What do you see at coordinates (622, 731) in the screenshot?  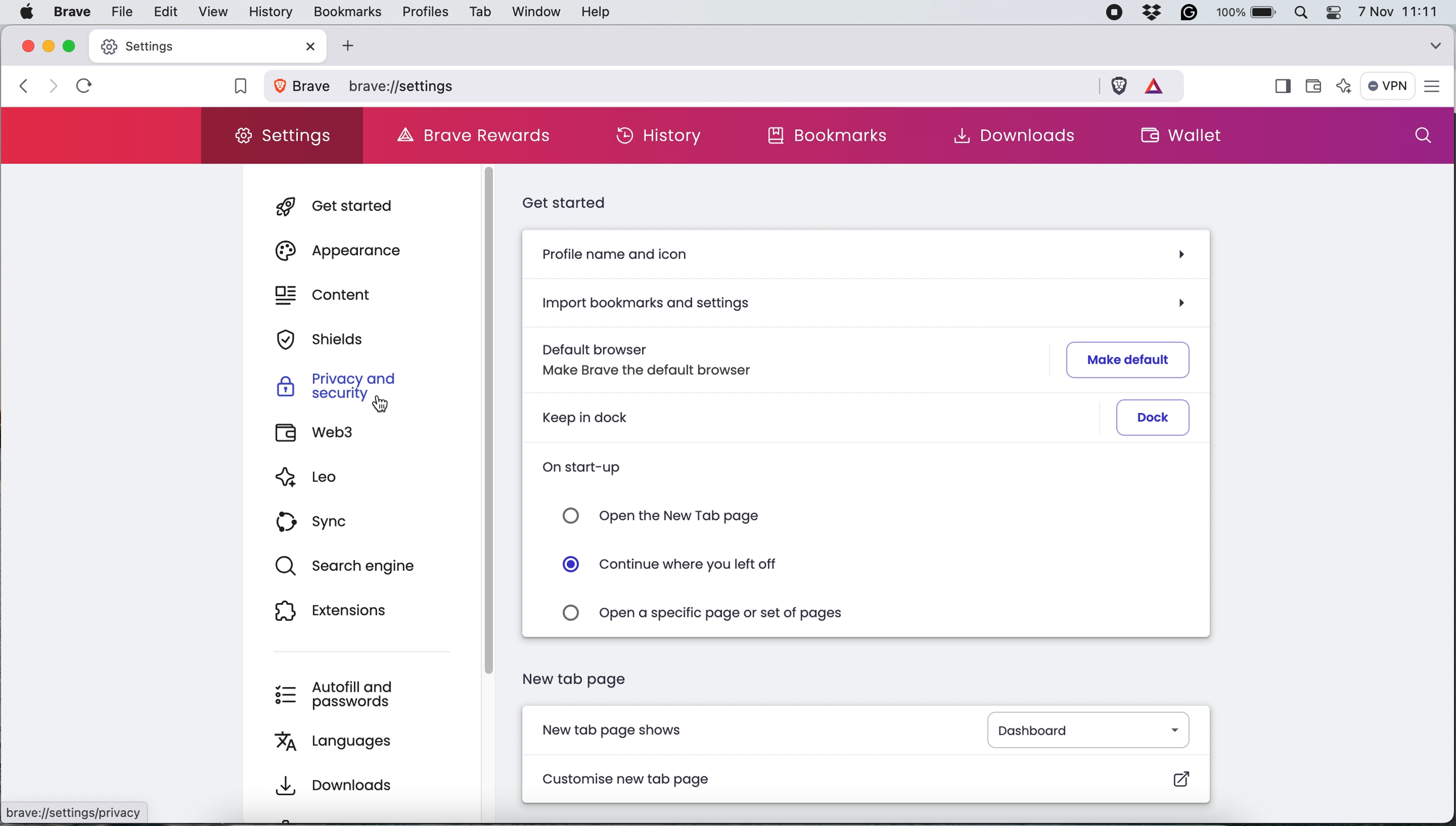 I see `new tab page shows` at bounding box center [622, 731].